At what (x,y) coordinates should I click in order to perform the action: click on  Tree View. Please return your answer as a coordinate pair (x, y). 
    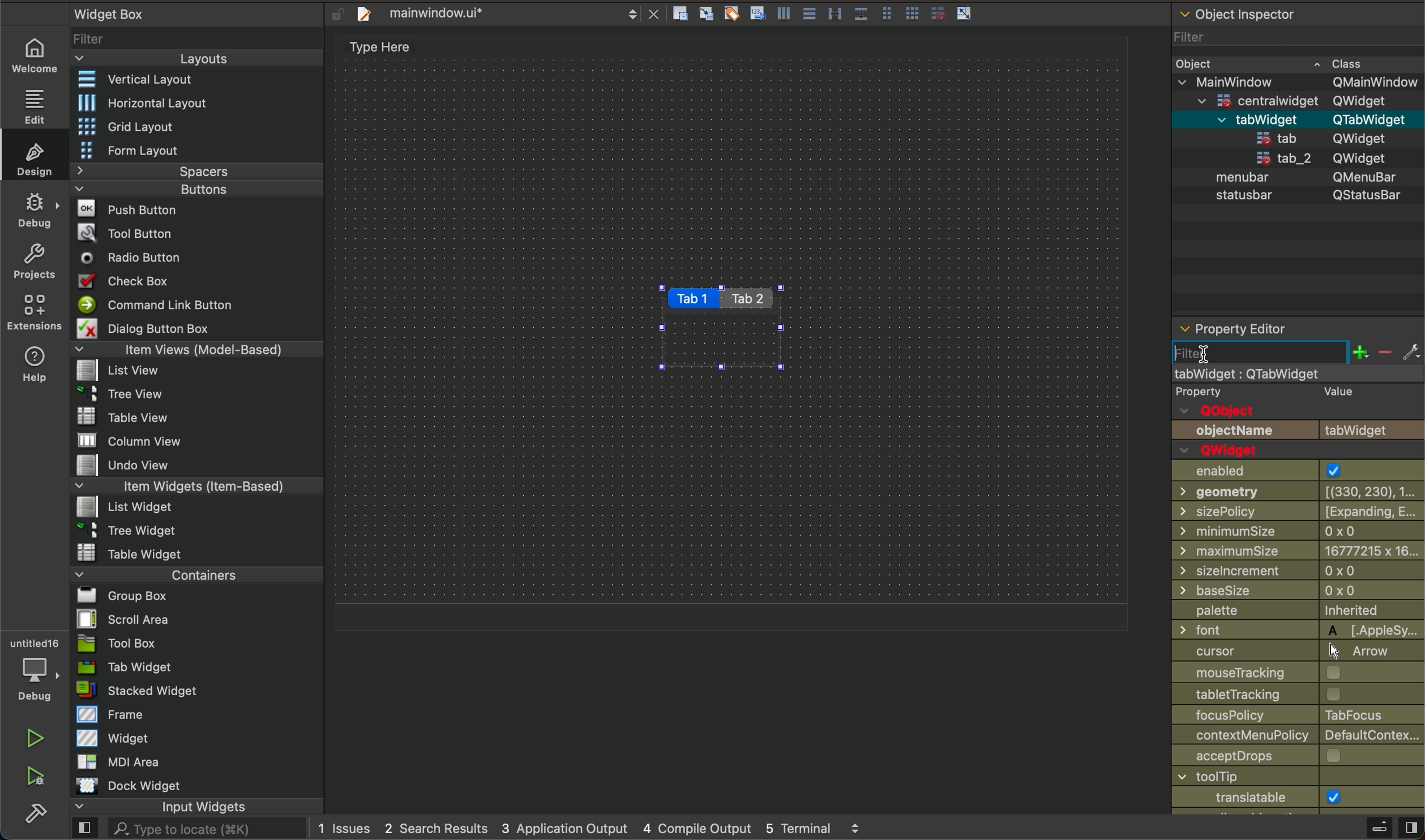
    Looking at the image, I should click on (122, 392).